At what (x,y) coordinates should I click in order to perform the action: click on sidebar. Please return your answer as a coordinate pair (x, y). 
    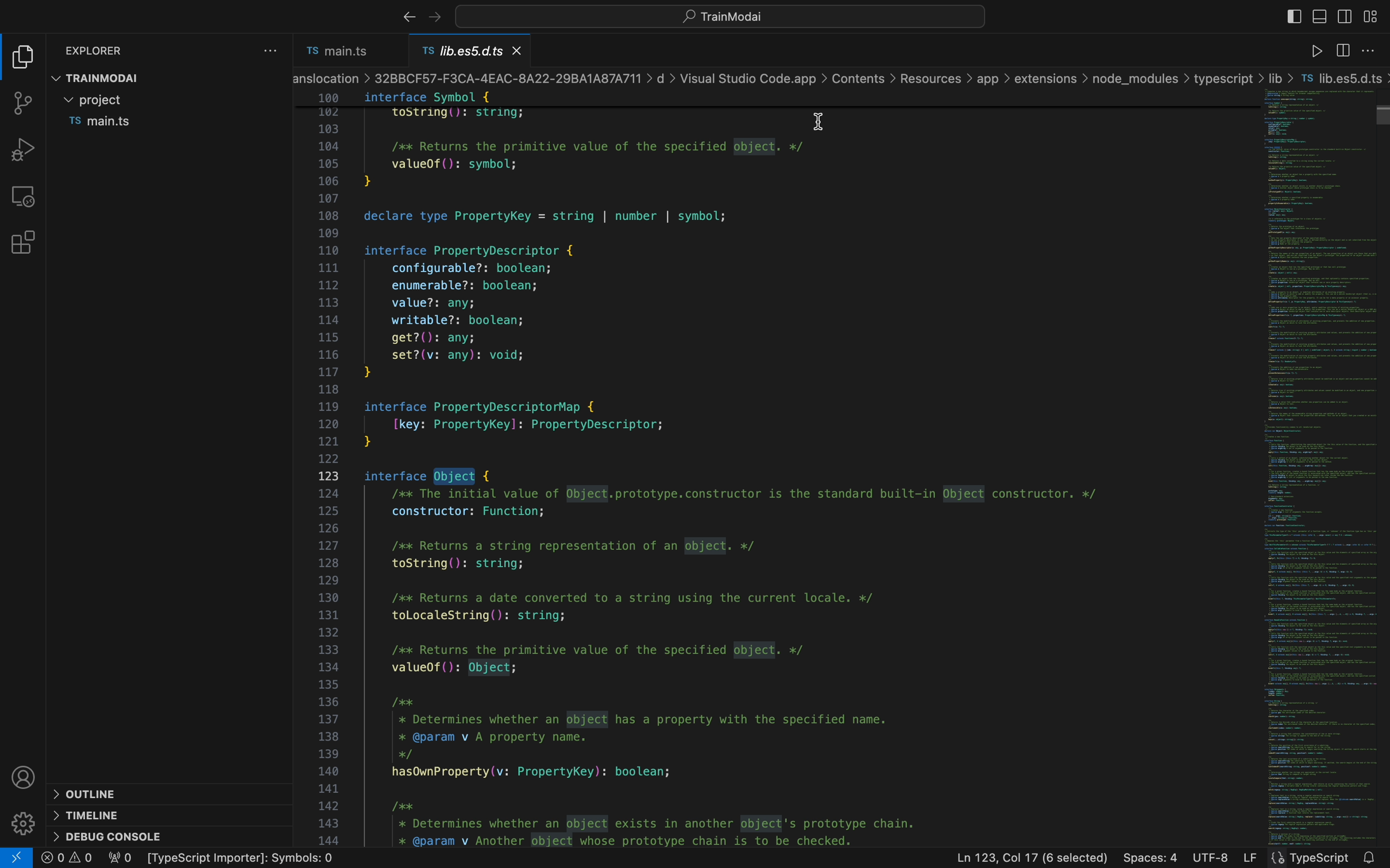
    Looking at the image, I should click on (1342, 51).